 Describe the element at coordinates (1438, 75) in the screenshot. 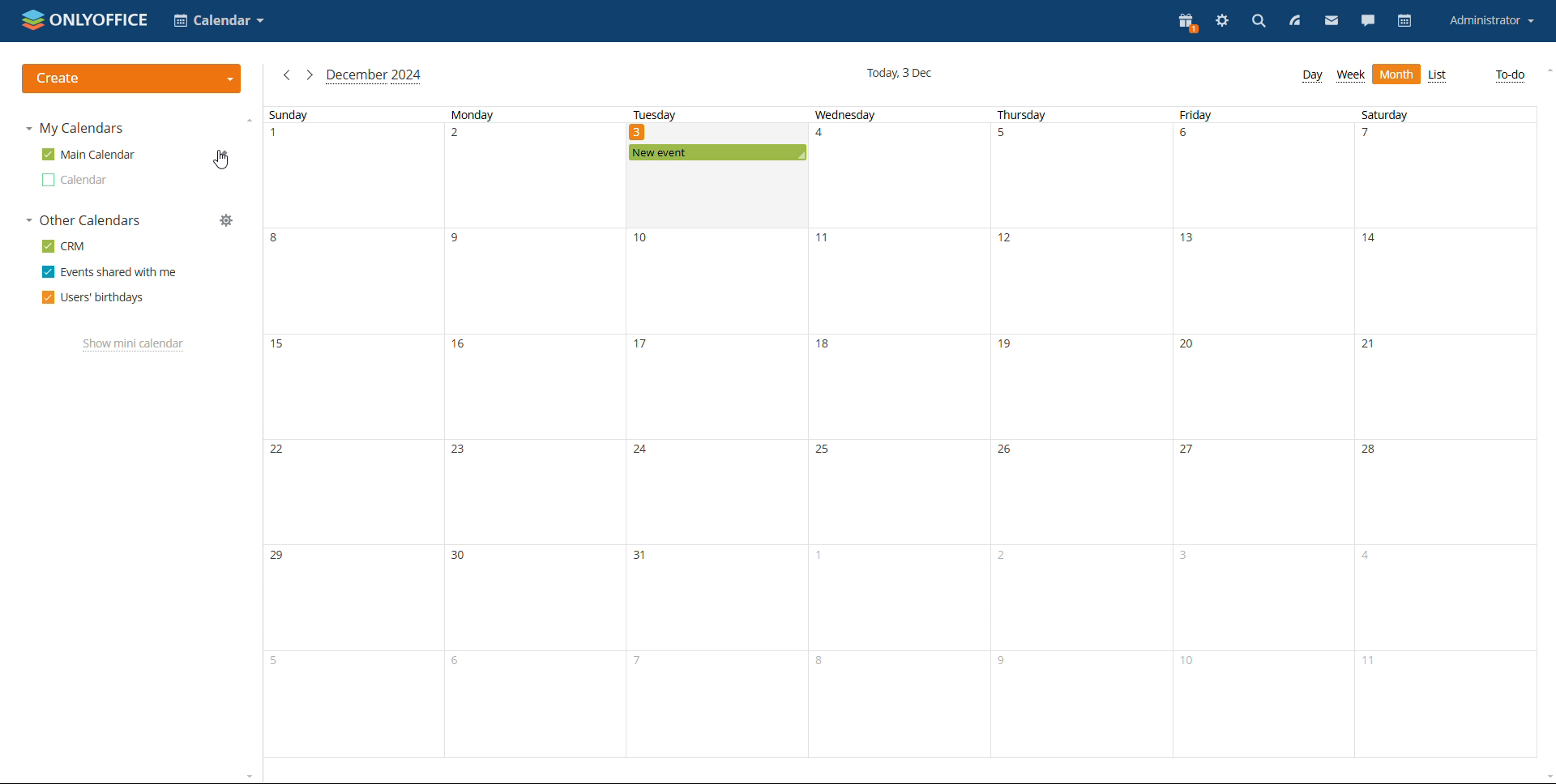

I see `list view` at that location.